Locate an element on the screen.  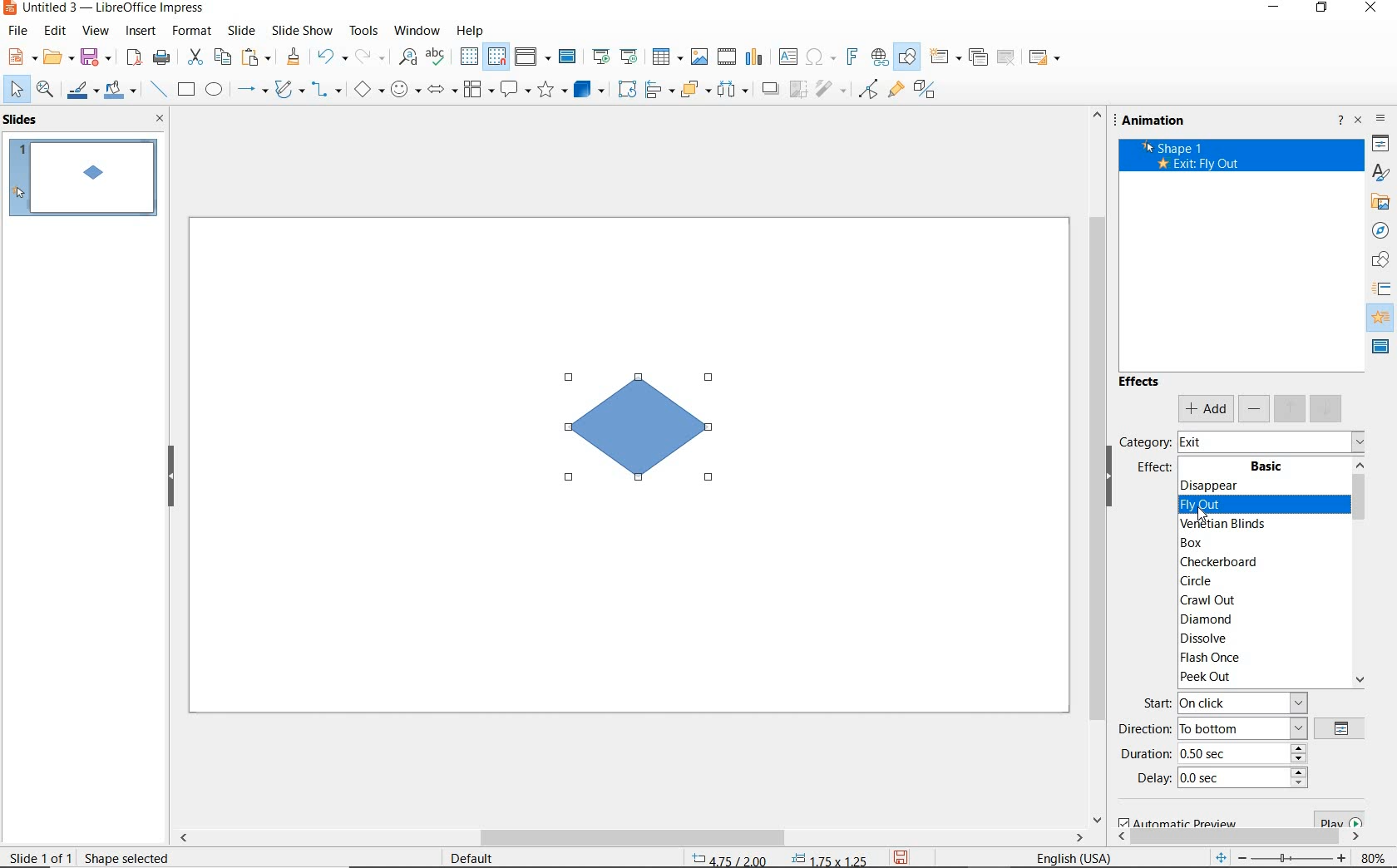
properties is located at coordinates (1380, 145).